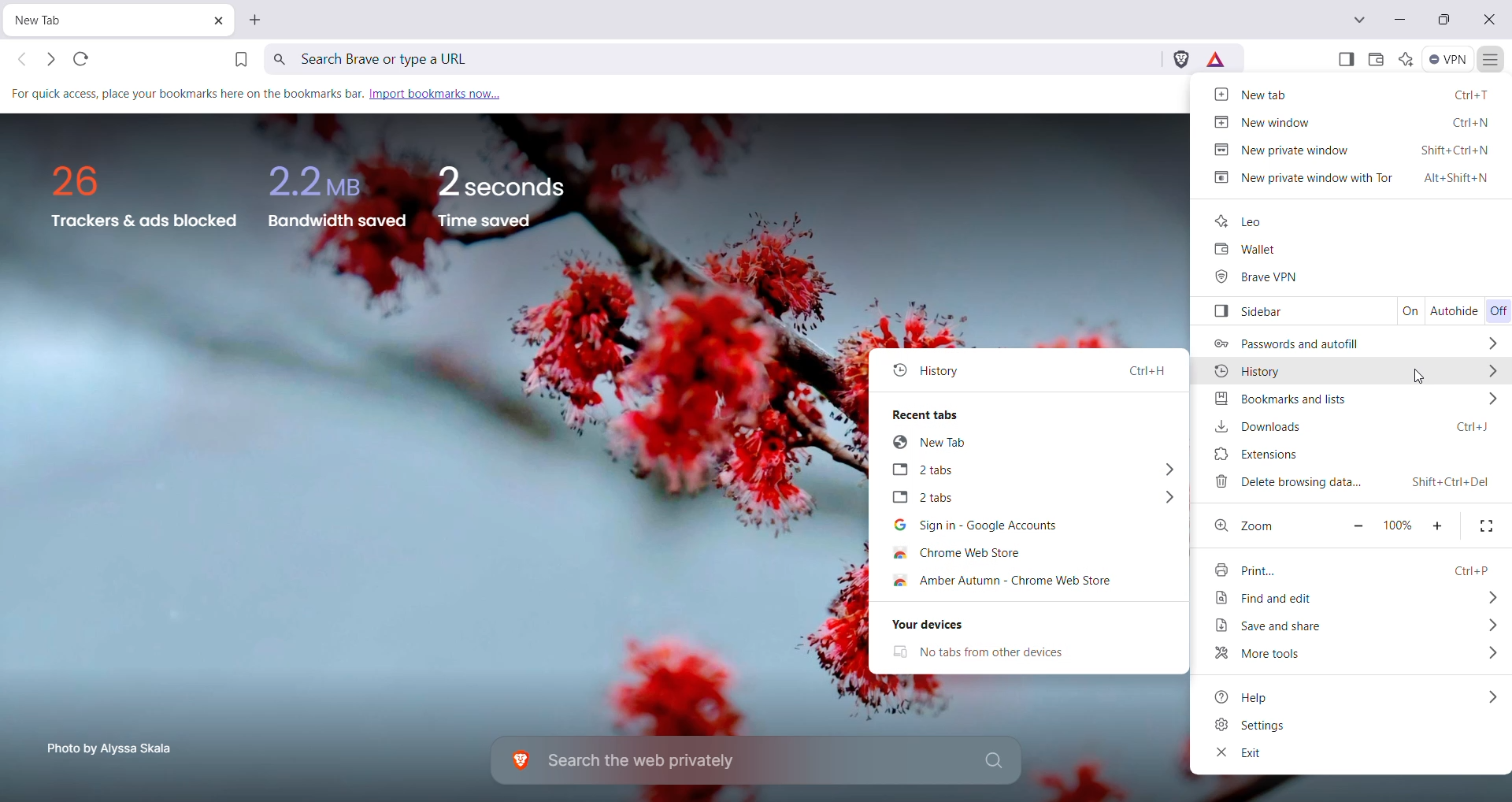 This screenshot has height=802, width=1512. Describe the element at coordinates (1487, 525) in the screenshot. I see `Fullscreen` at that location.